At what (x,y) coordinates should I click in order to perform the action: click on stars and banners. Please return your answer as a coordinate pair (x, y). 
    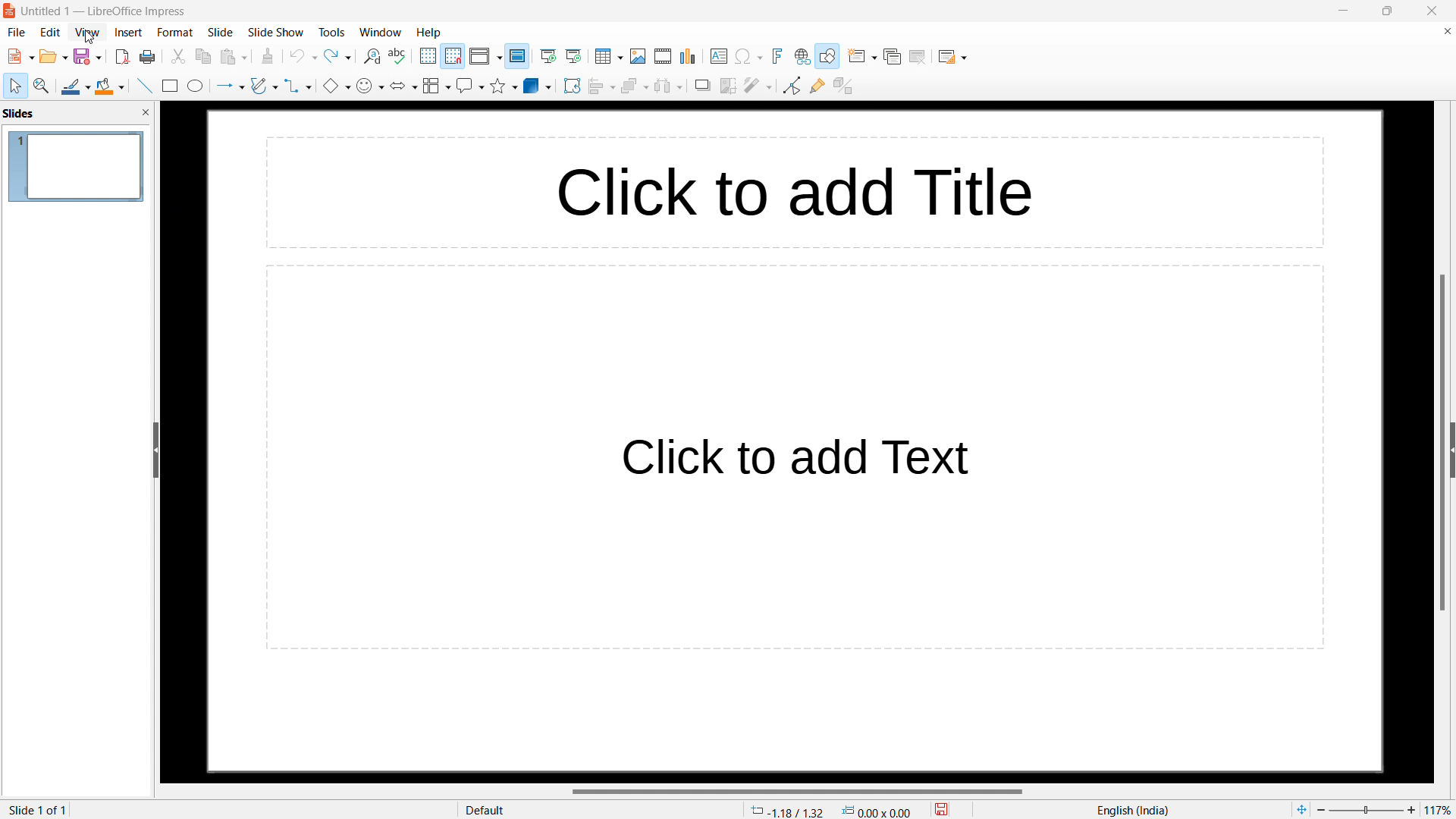
    Looking at the image, I should click on (504, 85).